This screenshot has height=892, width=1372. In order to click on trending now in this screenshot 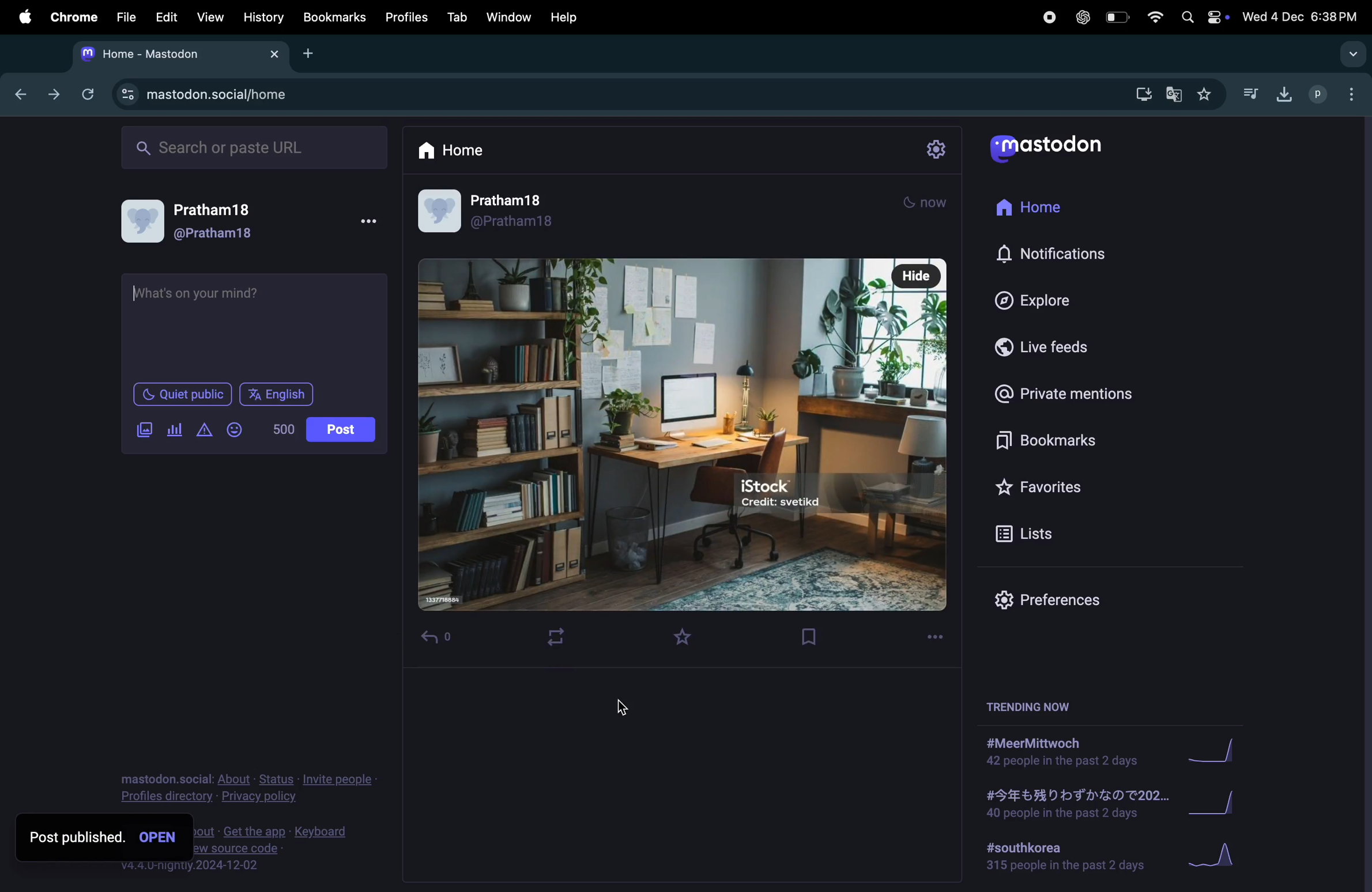, I will do `click(1039, 708)`.